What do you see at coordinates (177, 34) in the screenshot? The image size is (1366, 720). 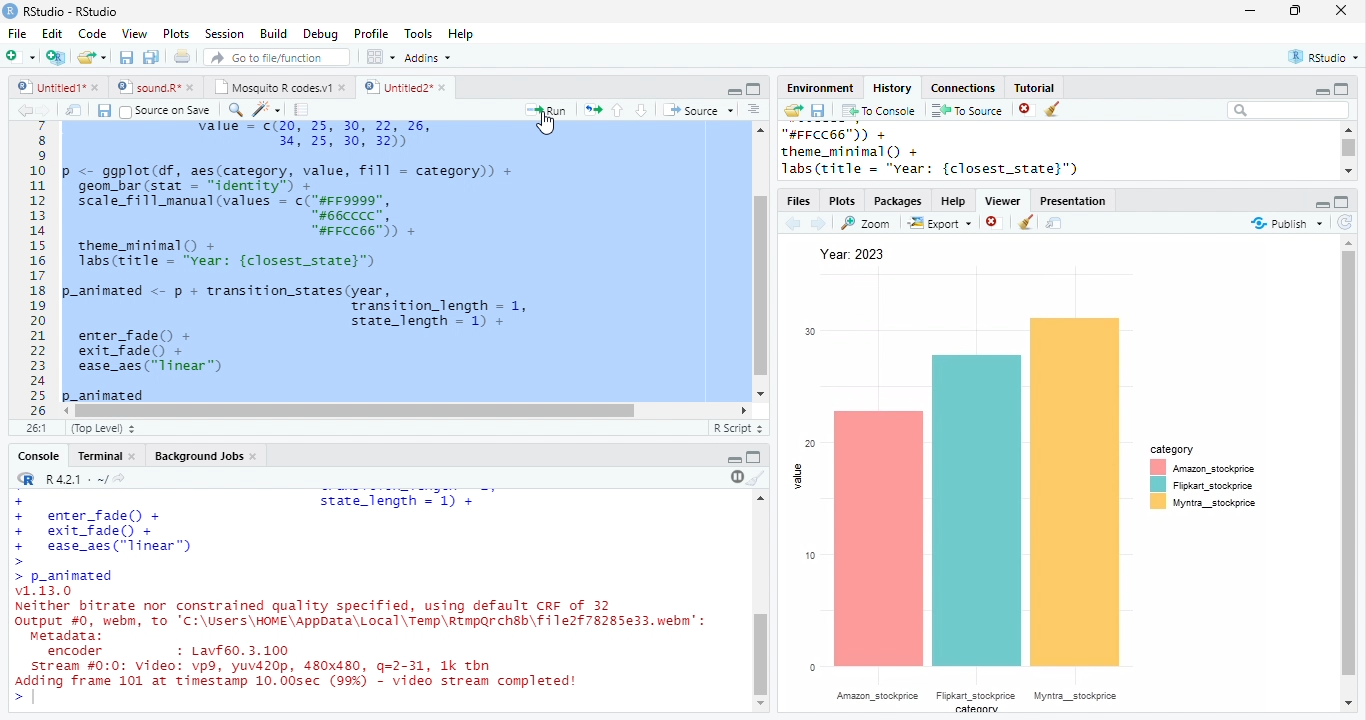 I see `Plots` at bounding box center [177, 34].